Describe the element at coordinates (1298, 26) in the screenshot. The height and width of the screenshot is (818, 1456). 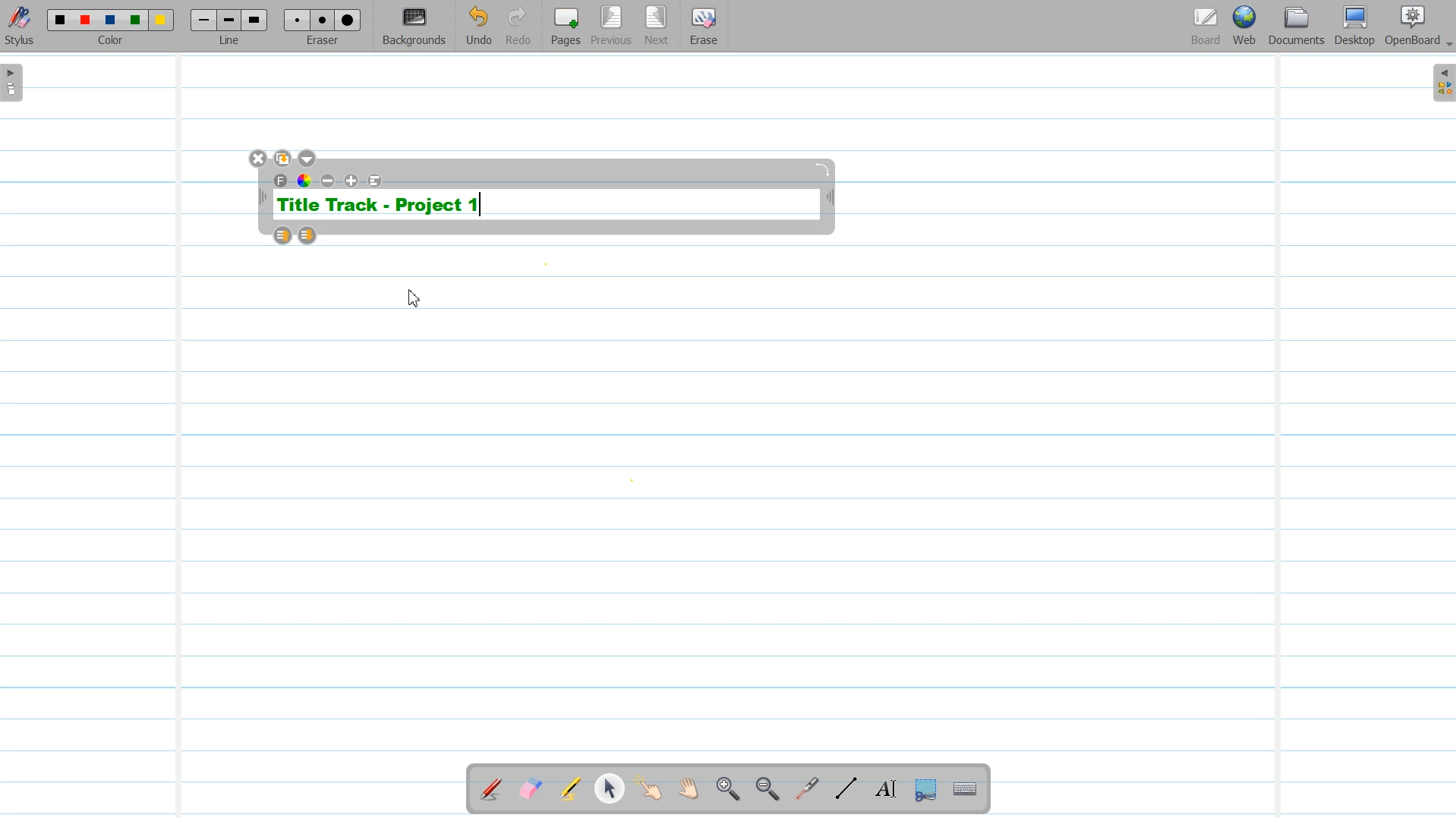
I see `Document` at that location.